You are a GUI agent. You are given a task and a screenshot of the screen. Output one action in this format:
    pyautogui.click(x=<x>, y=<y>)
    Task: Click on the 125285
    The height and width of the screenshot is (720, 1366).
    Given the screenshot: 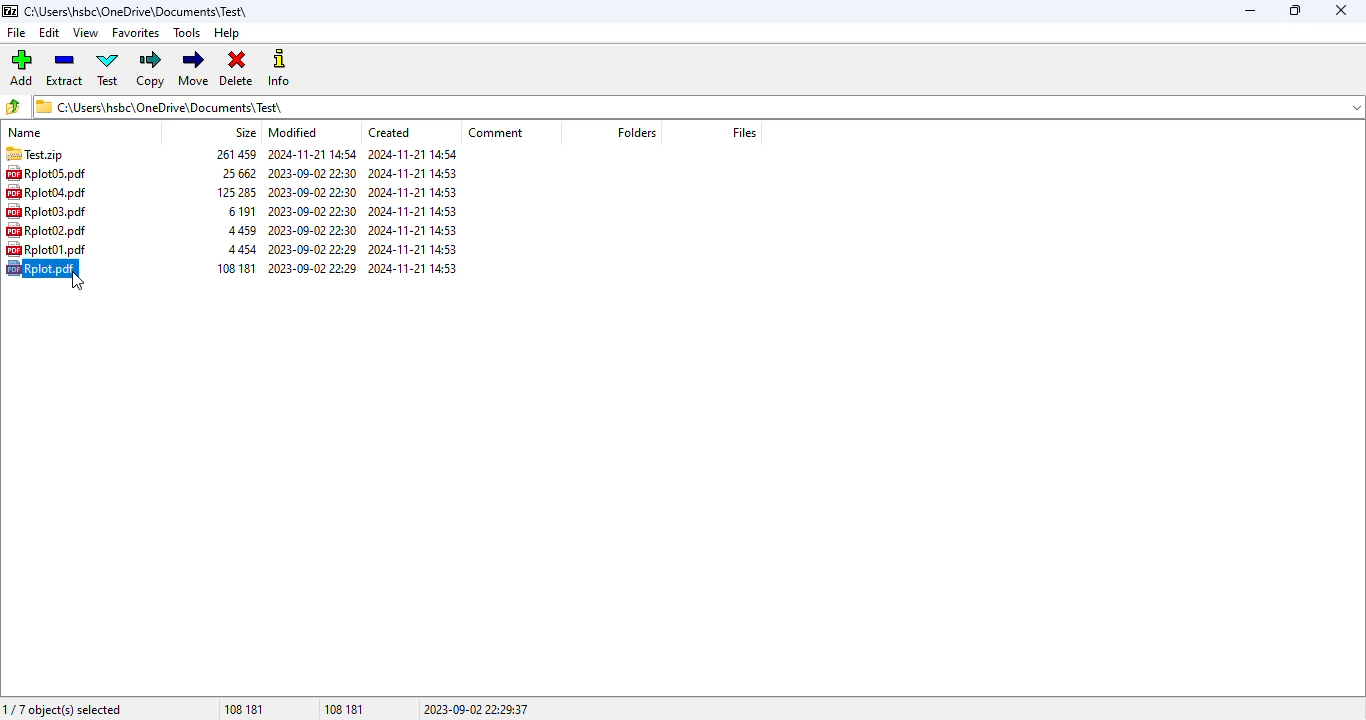 What is the action you would take?
    pyautogui.click(x=223, y=191)
    